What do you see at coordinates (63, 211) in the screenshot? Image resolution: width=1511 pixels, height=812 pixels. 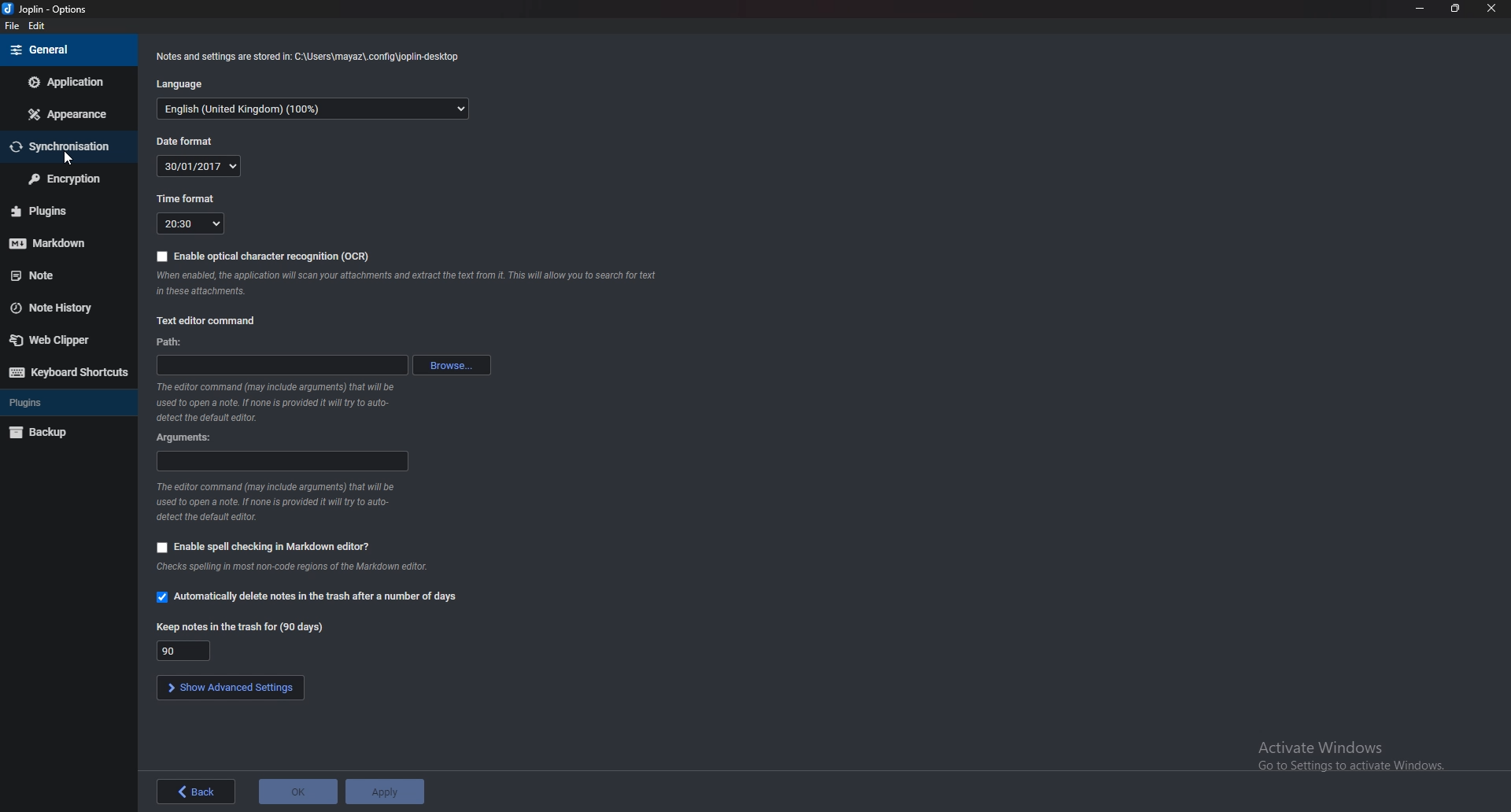 I see `plugins` at bounding box center [63, 211].